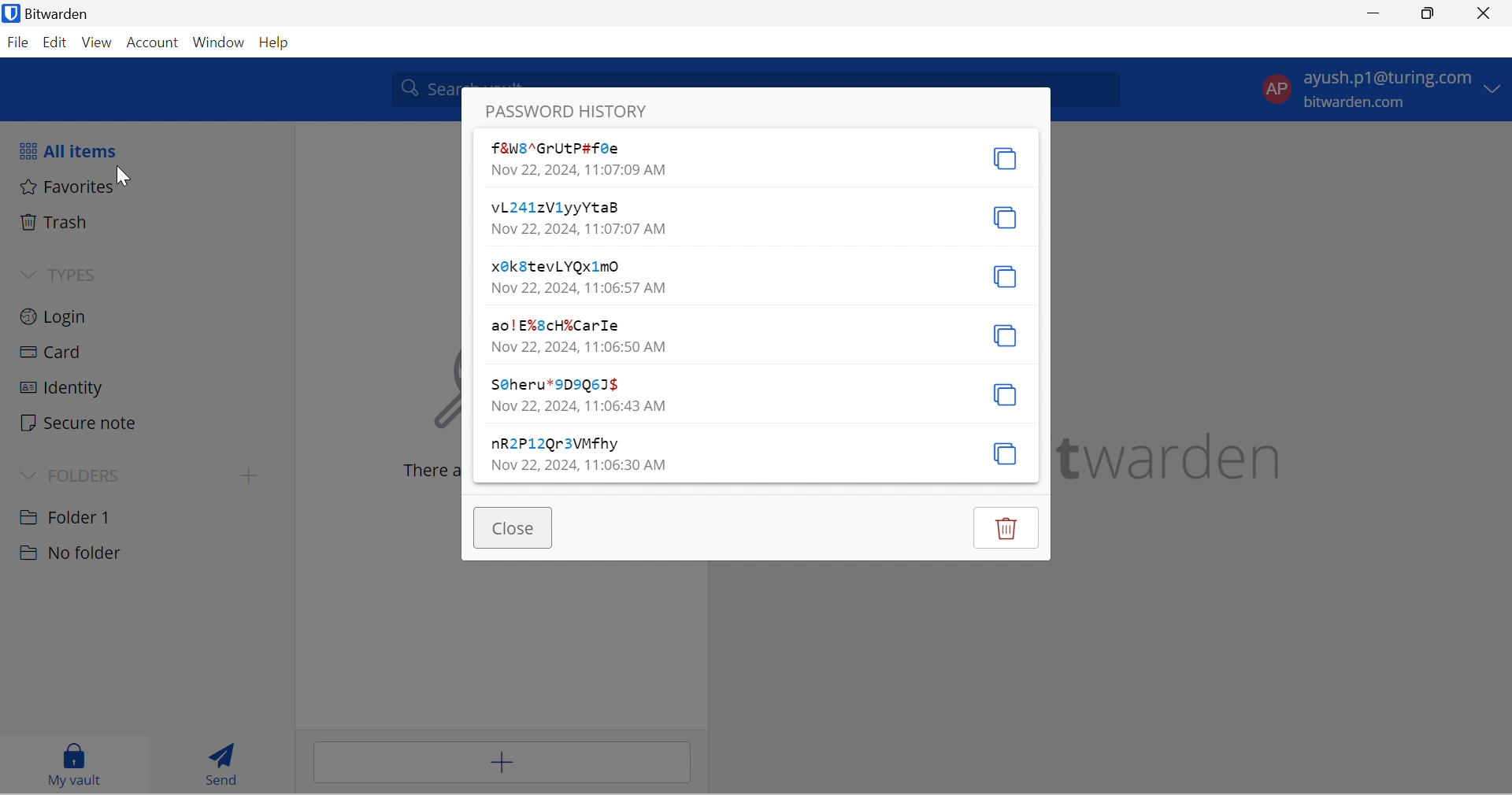 This screenshot has width=1512, height=795. What do you see at coordinates (555, 207) in the screenshot?
I see `vL241zV1yyYtaB` at bounding box center [555, 207].